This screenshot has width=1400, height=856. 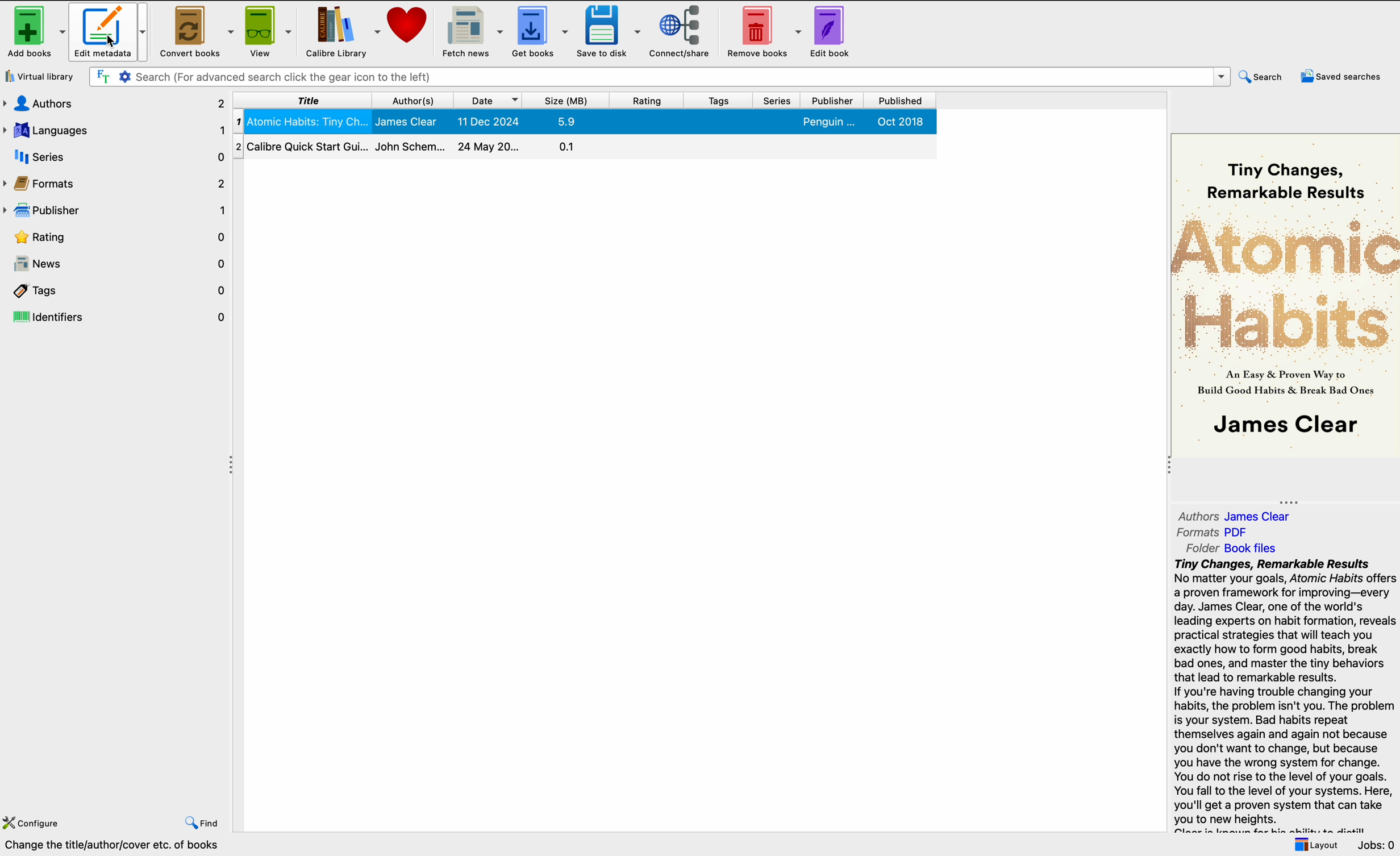 I want to click on connect/share, so click(x=680, y=32).